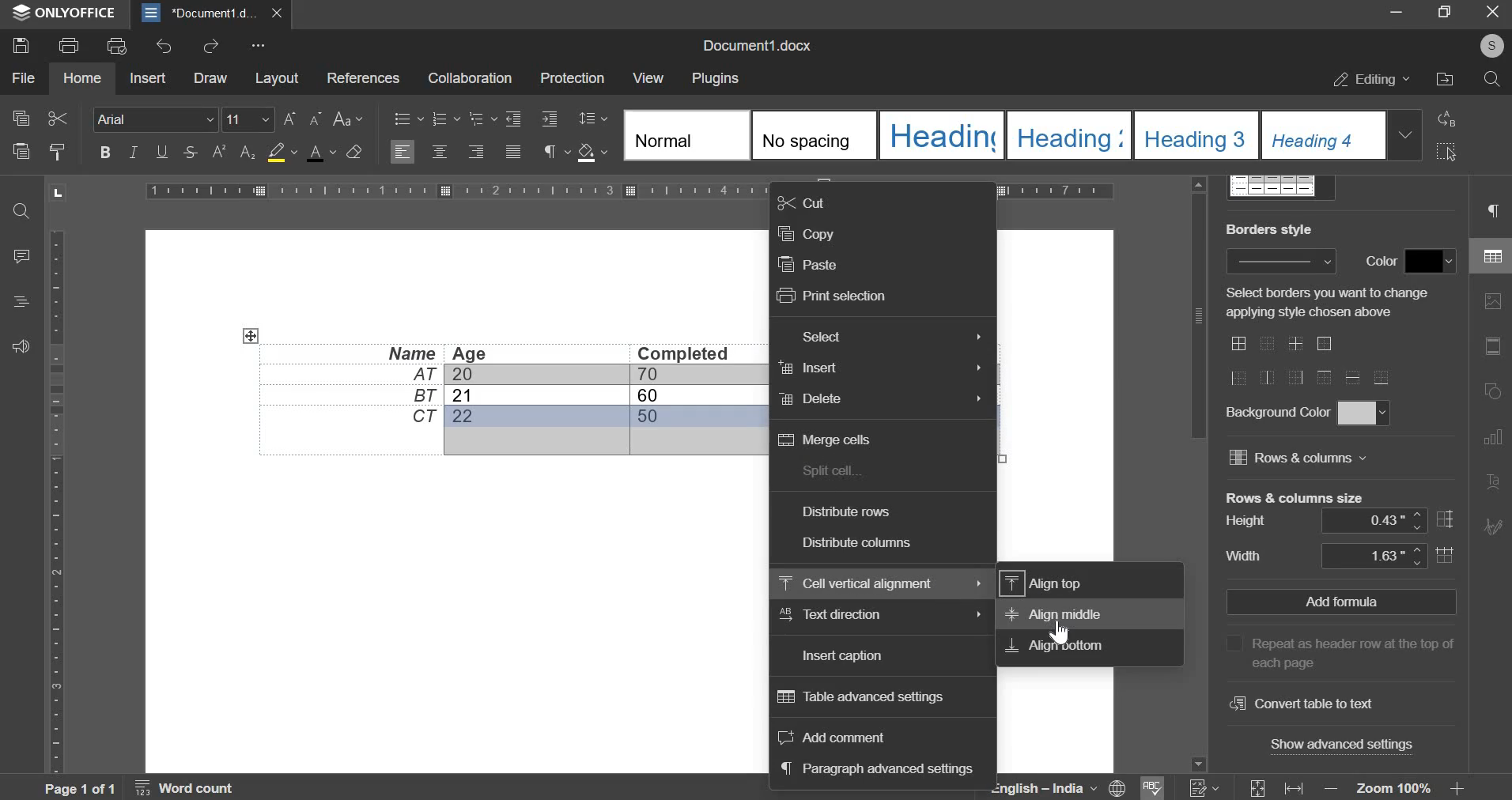 The width and height of the screenshot is (1512, 800). Describe the element at coordinates (19, 119) in the screenshot. I see `copy` at that location.